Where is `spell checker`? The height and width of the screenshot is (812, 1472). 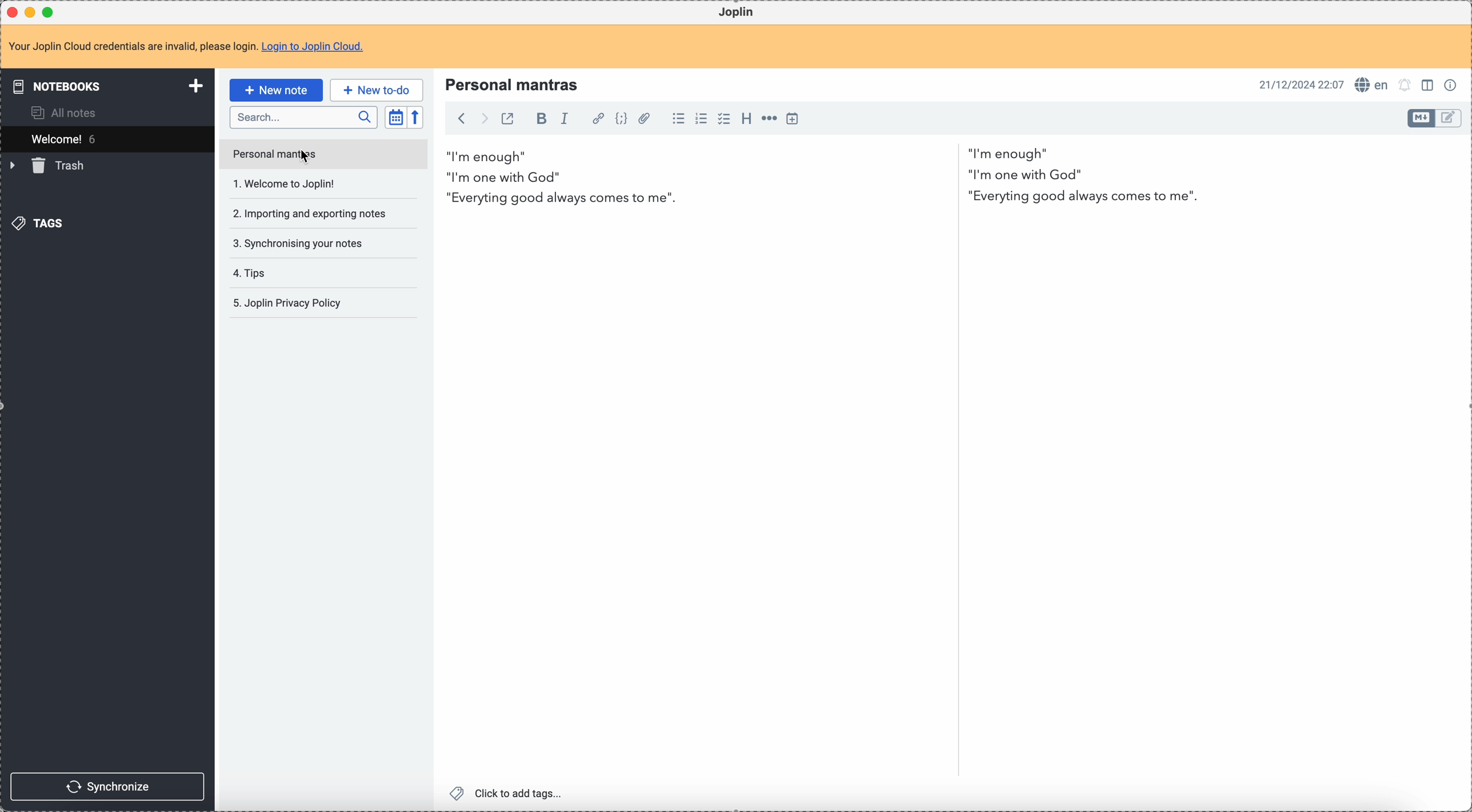 spell checker is located at coordinates (1372, 84).